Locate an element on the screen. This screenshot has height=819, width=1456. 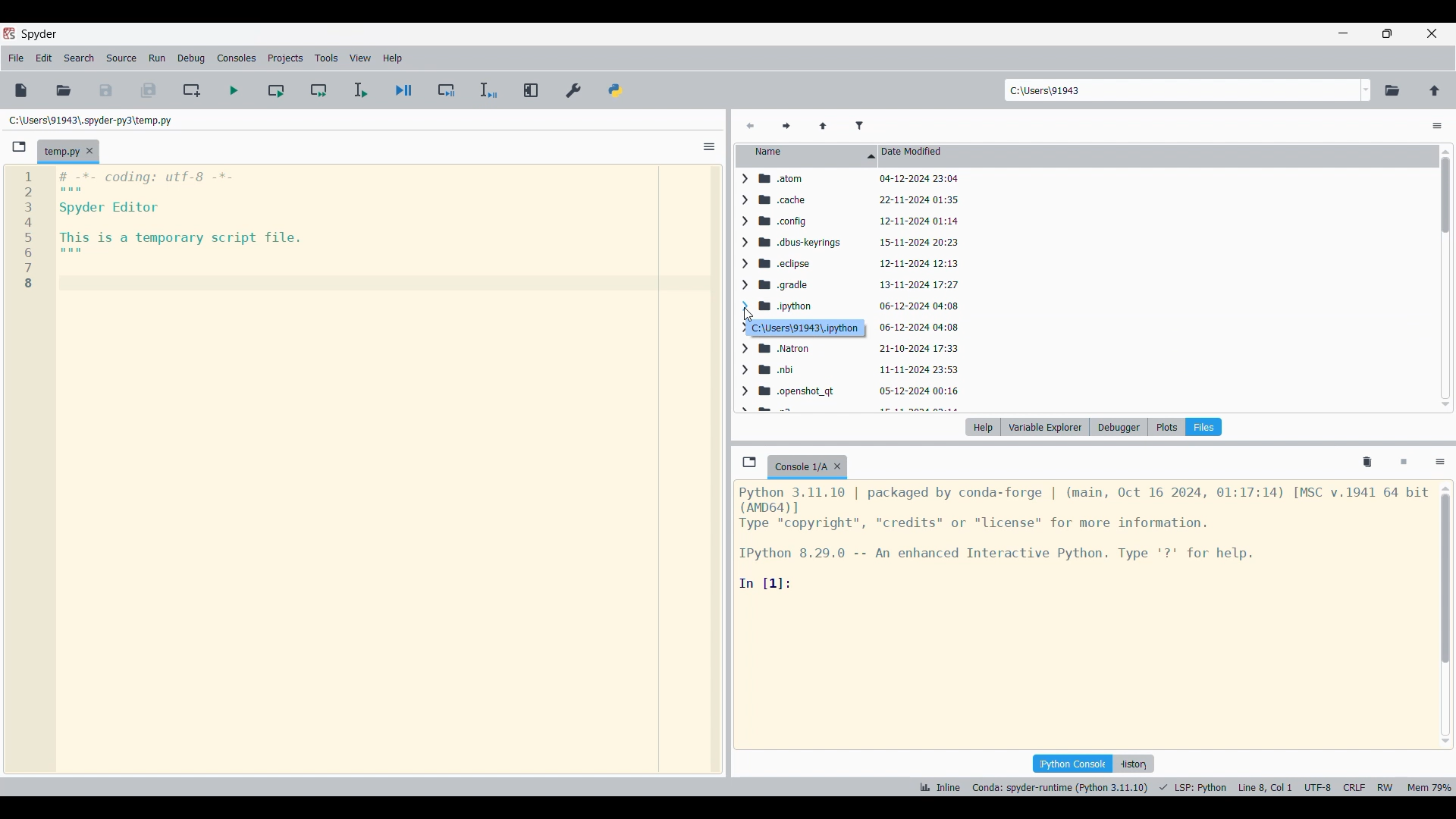
Remove all variables from namespace is located at coordinates (1367, 463).